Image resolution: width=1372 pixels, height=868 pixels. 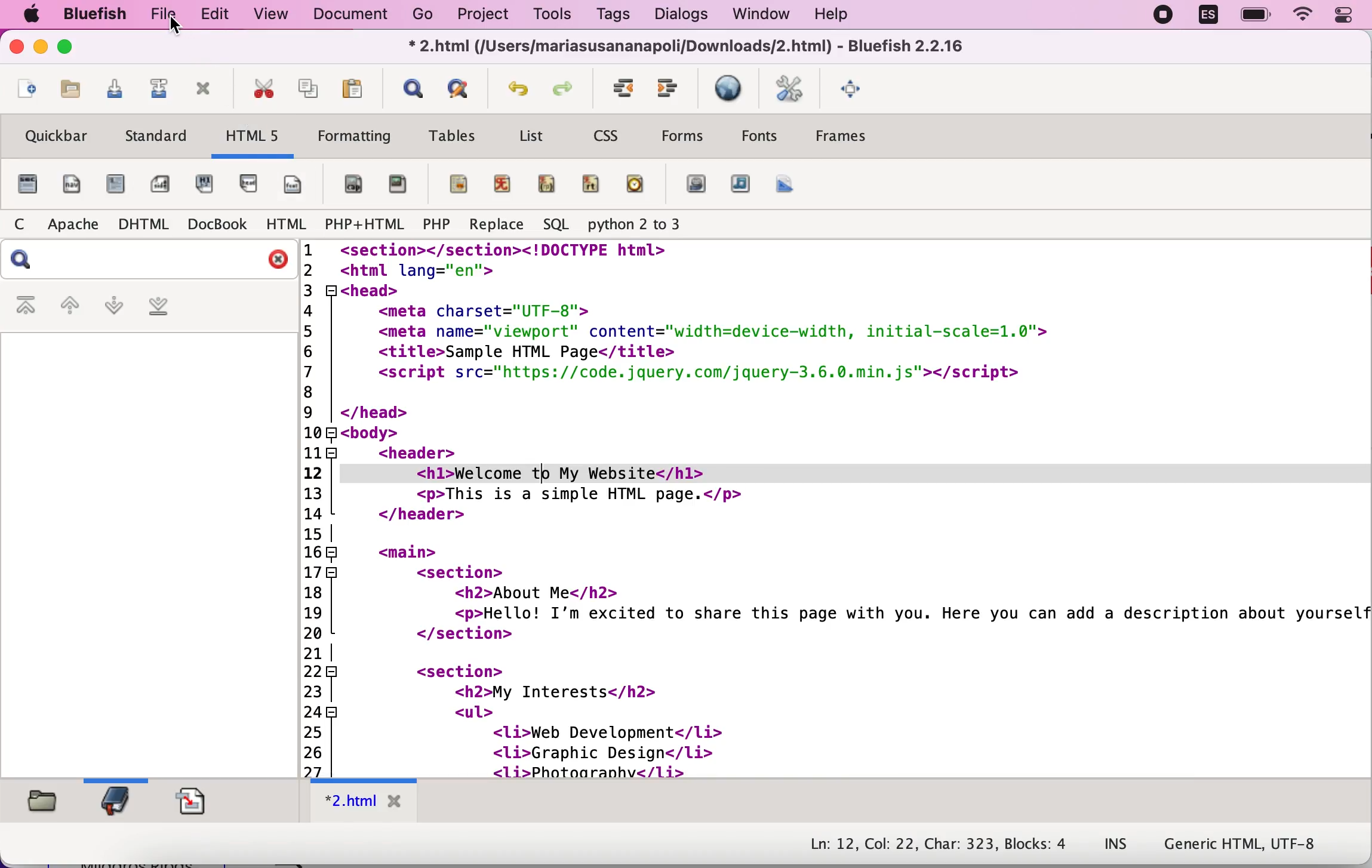 I want to click on language, so click(x=1205, y=17).